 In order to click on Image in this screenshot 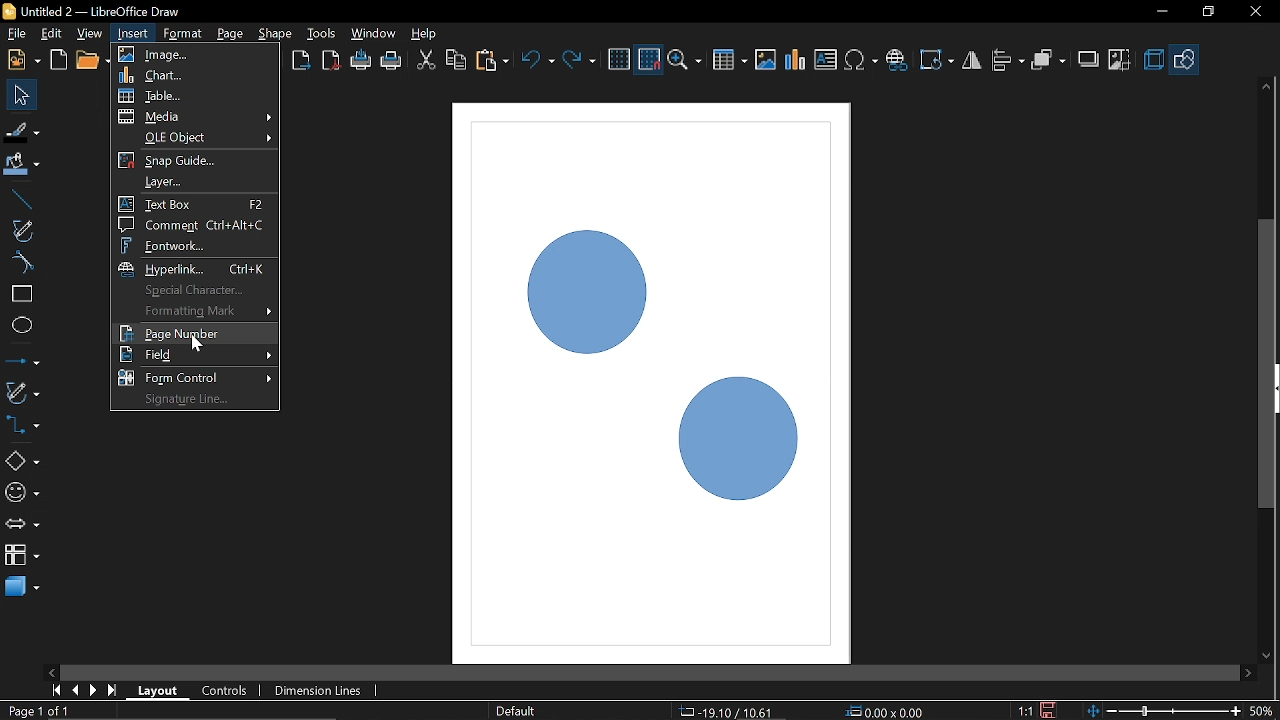, I will do `click(196, 54)`.